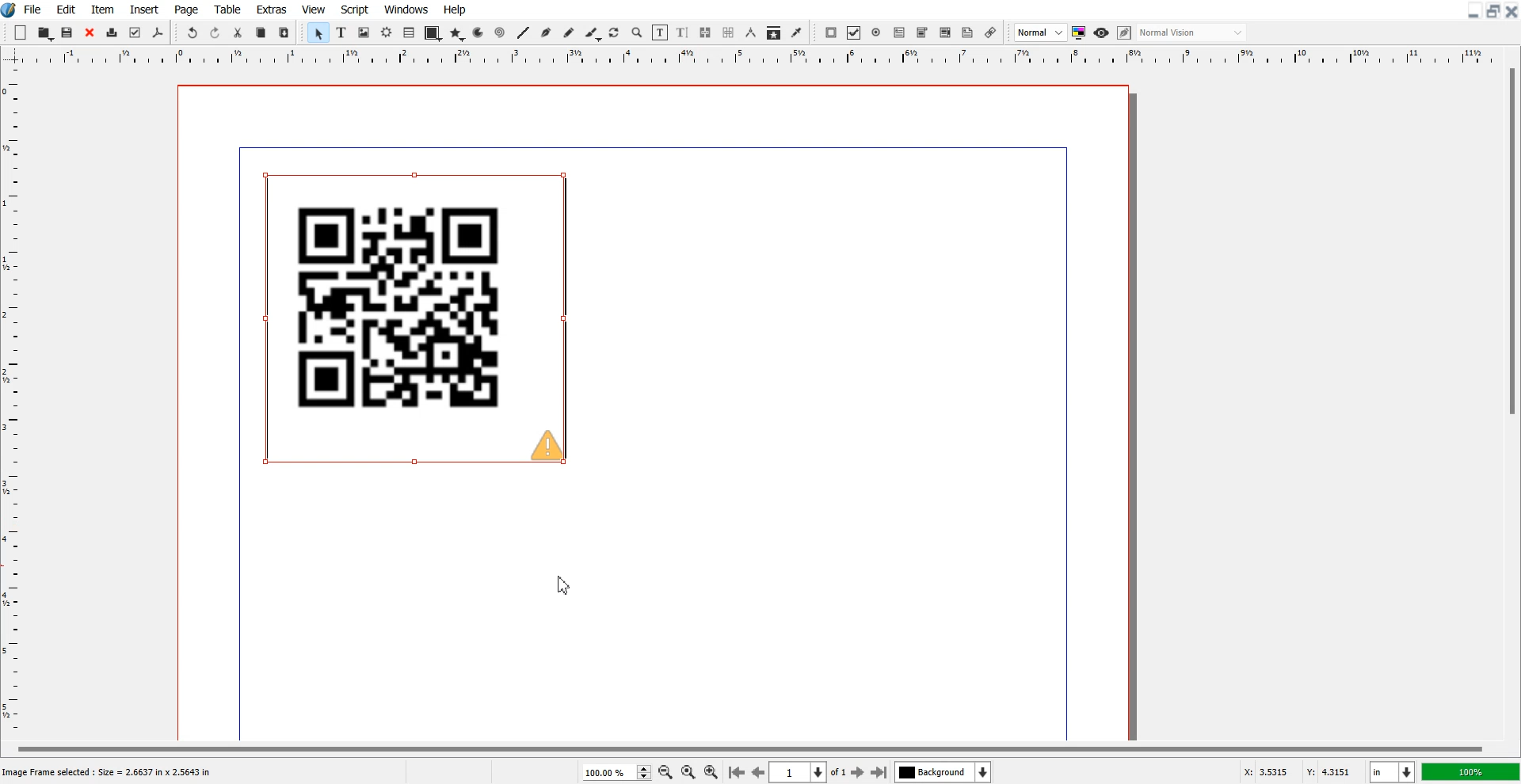 The width and height of the screenshot is (1521, 784). What do you see at coordinates (227, 9) in the screenshot?
I see `Table` at bounding box center [227, 9].